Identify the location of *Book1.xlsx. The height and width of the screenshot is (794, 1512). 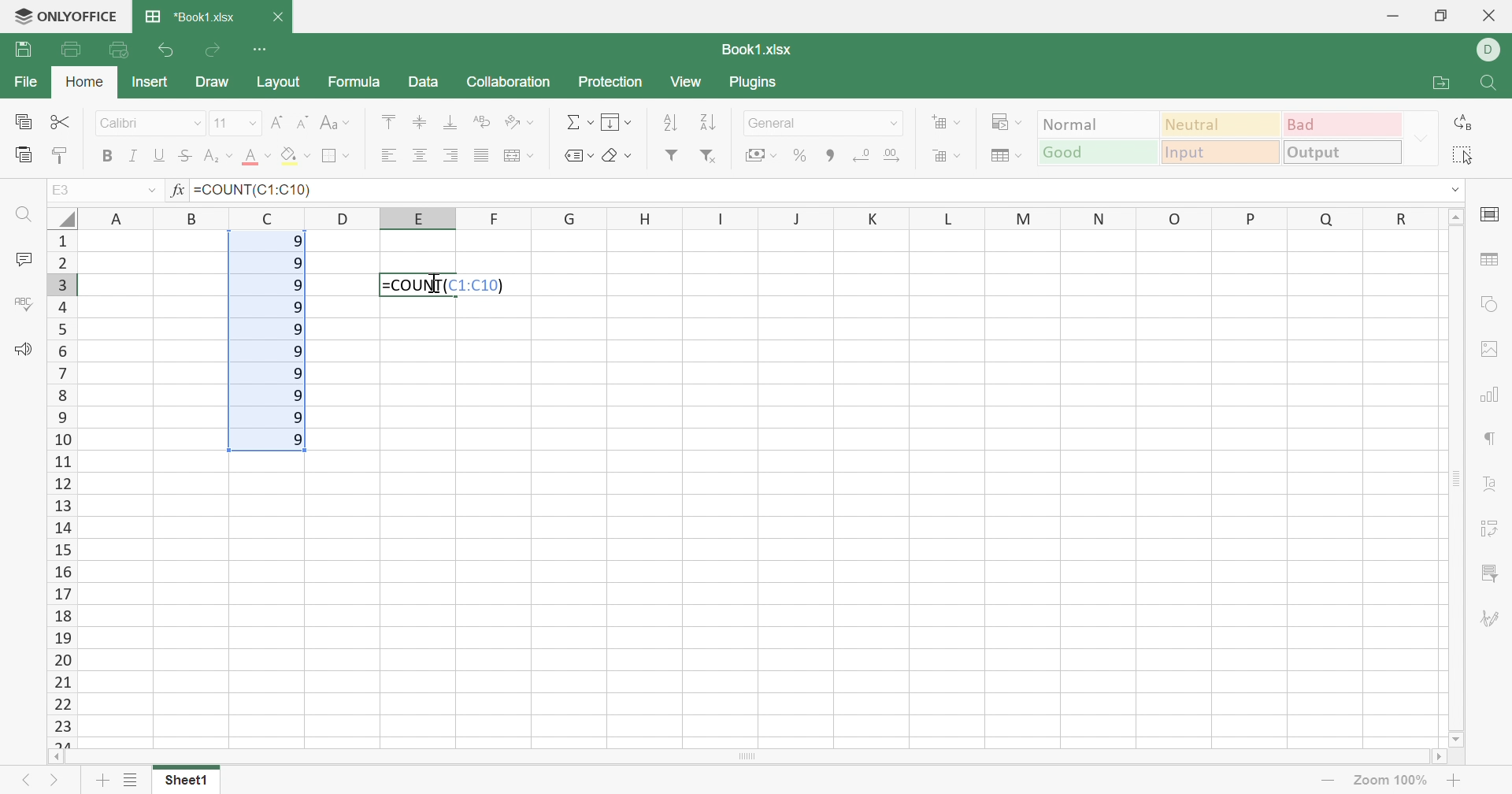
(187, 17).